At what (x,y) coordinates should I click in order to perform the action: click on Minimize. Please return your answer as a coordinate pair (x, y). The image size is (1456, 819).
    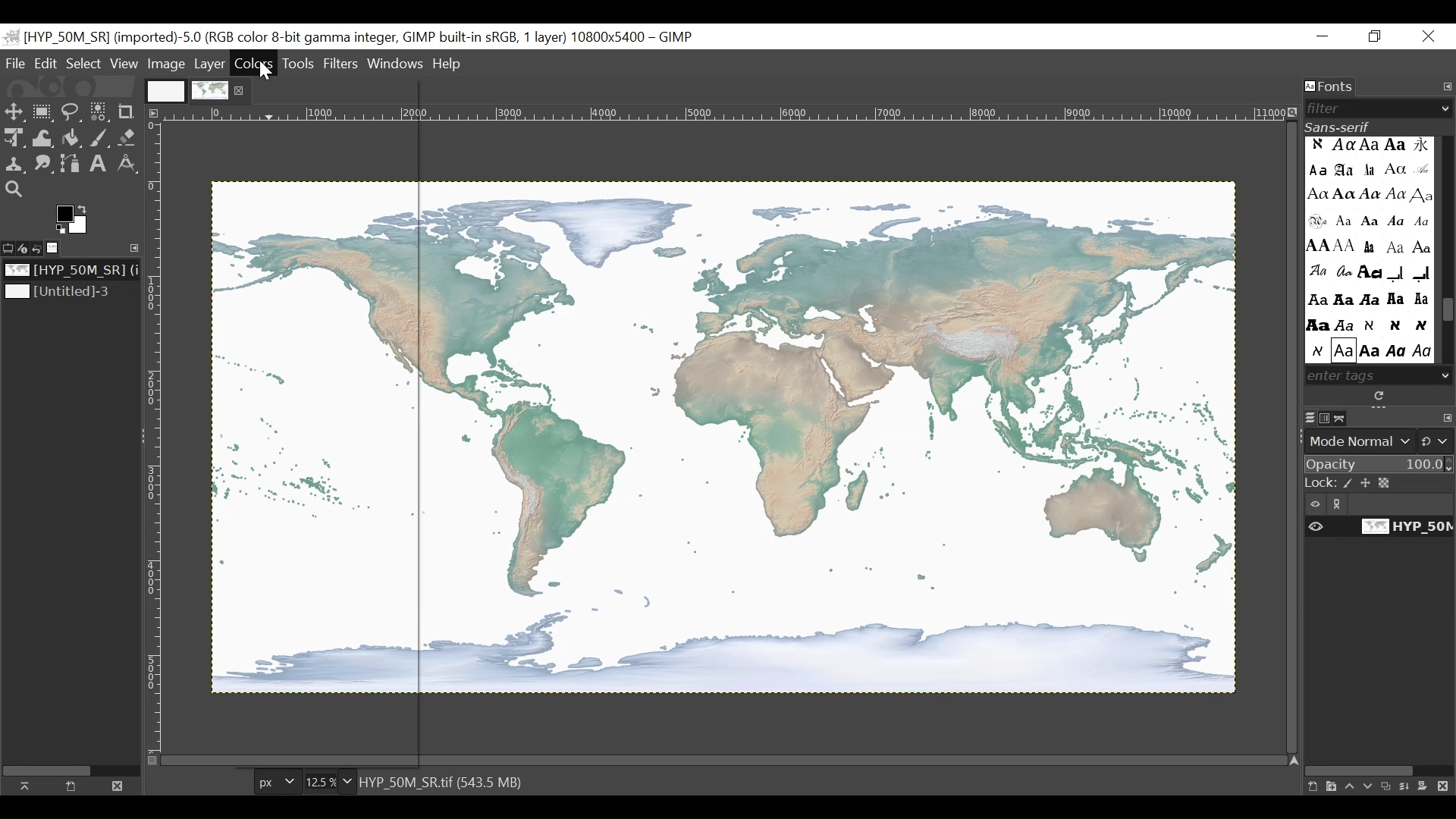
    Looking at the image, I should click on (1323, 37).